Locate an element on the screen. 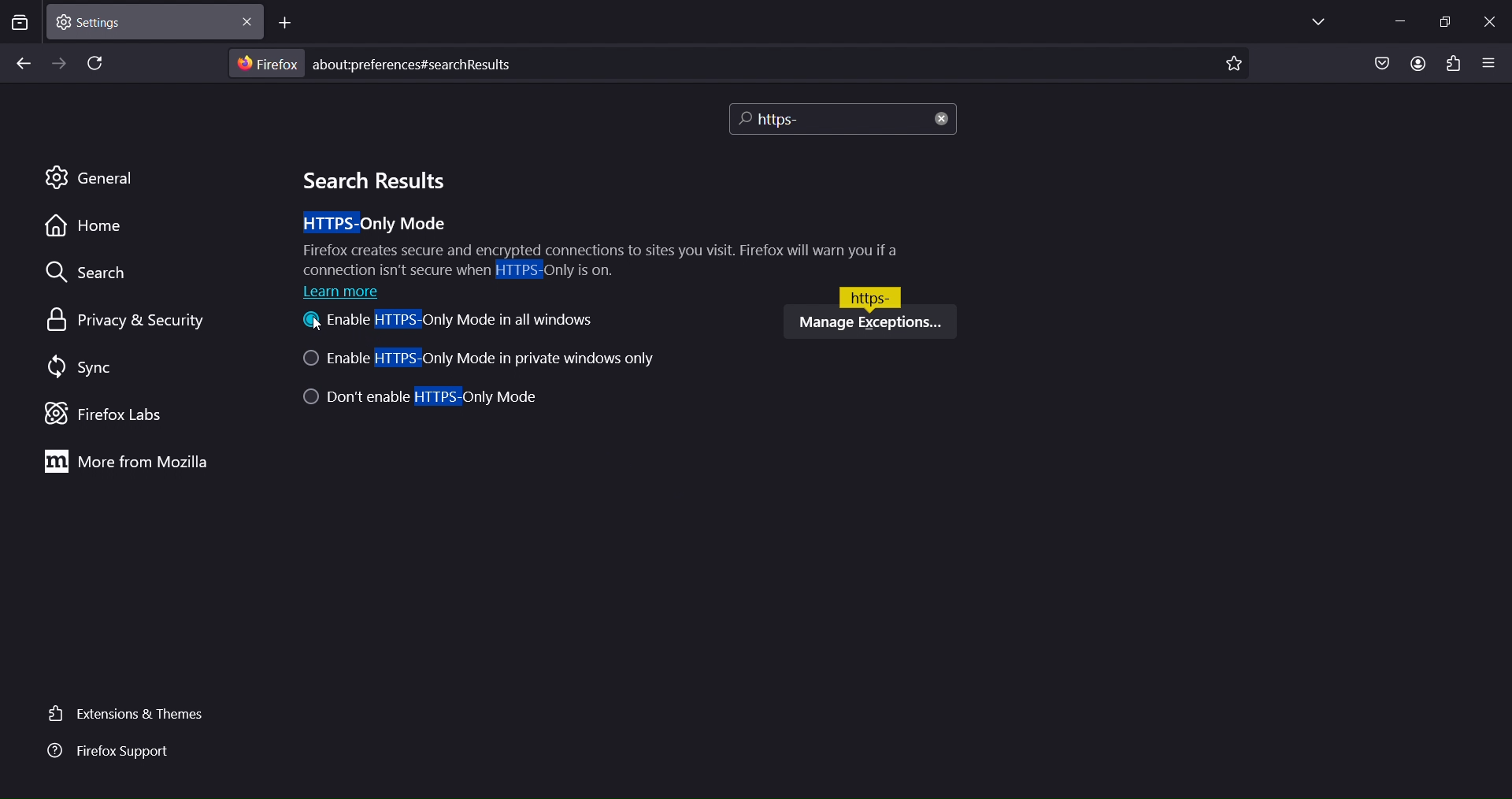 The height and width of the screenshot is (799, 1512). firefox labs is located at coordinates (116, 413).